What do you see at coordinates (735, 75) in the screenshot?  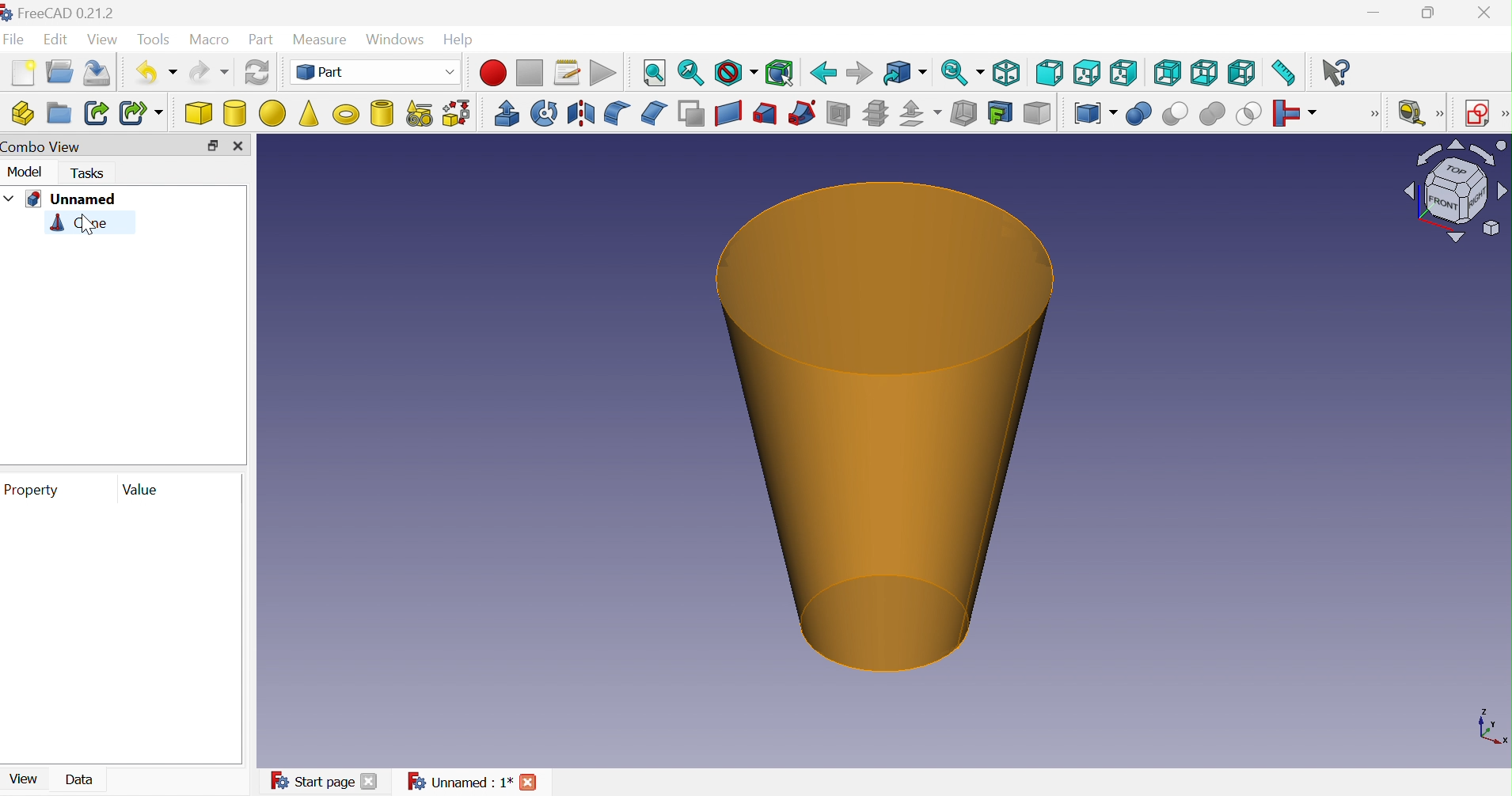 I see `Draw style` at bounding box center [735, 75].